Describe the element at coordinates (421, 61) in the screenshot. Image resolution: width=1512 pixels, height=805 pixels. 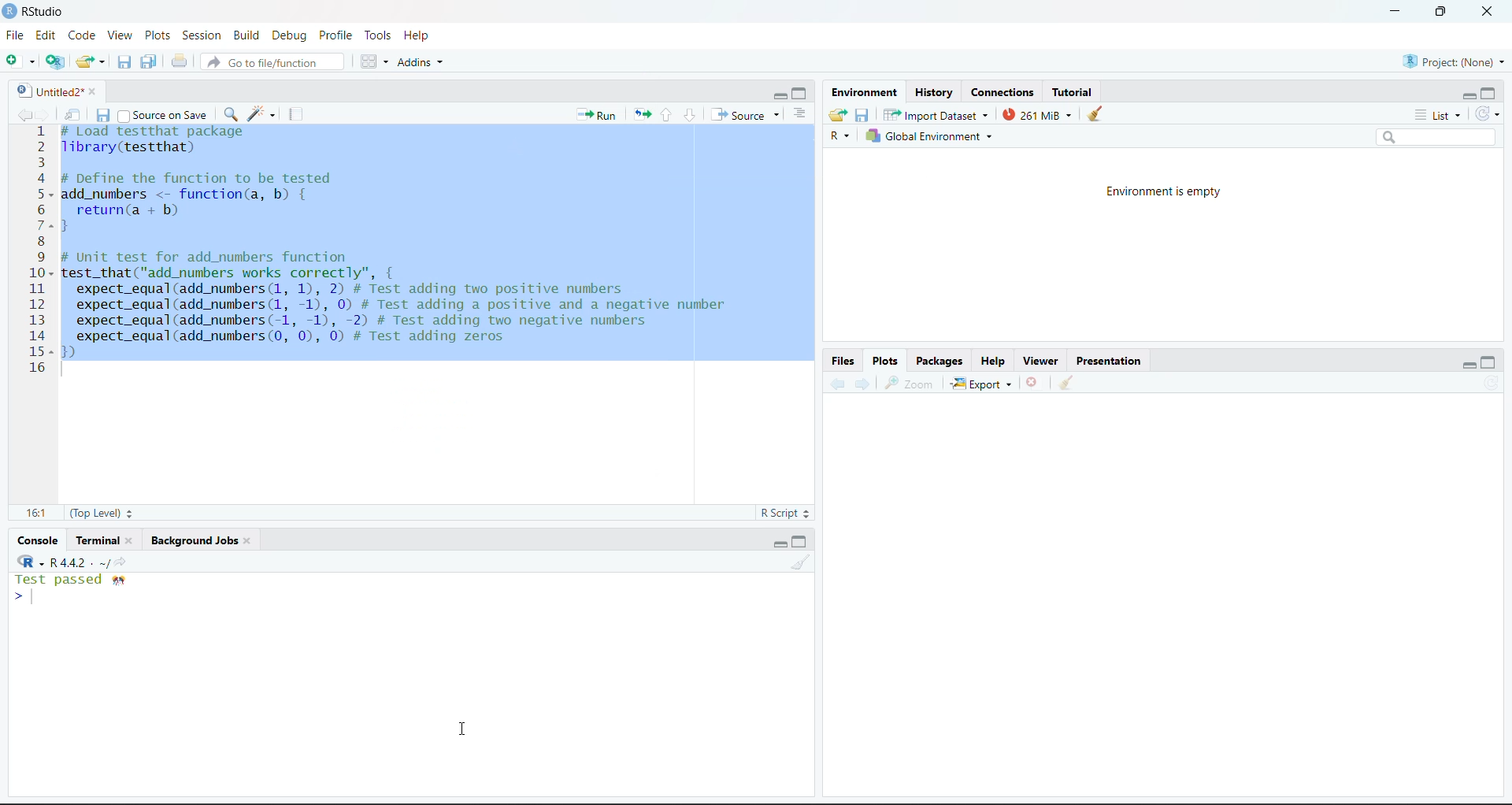
I see `Addins` at that location.